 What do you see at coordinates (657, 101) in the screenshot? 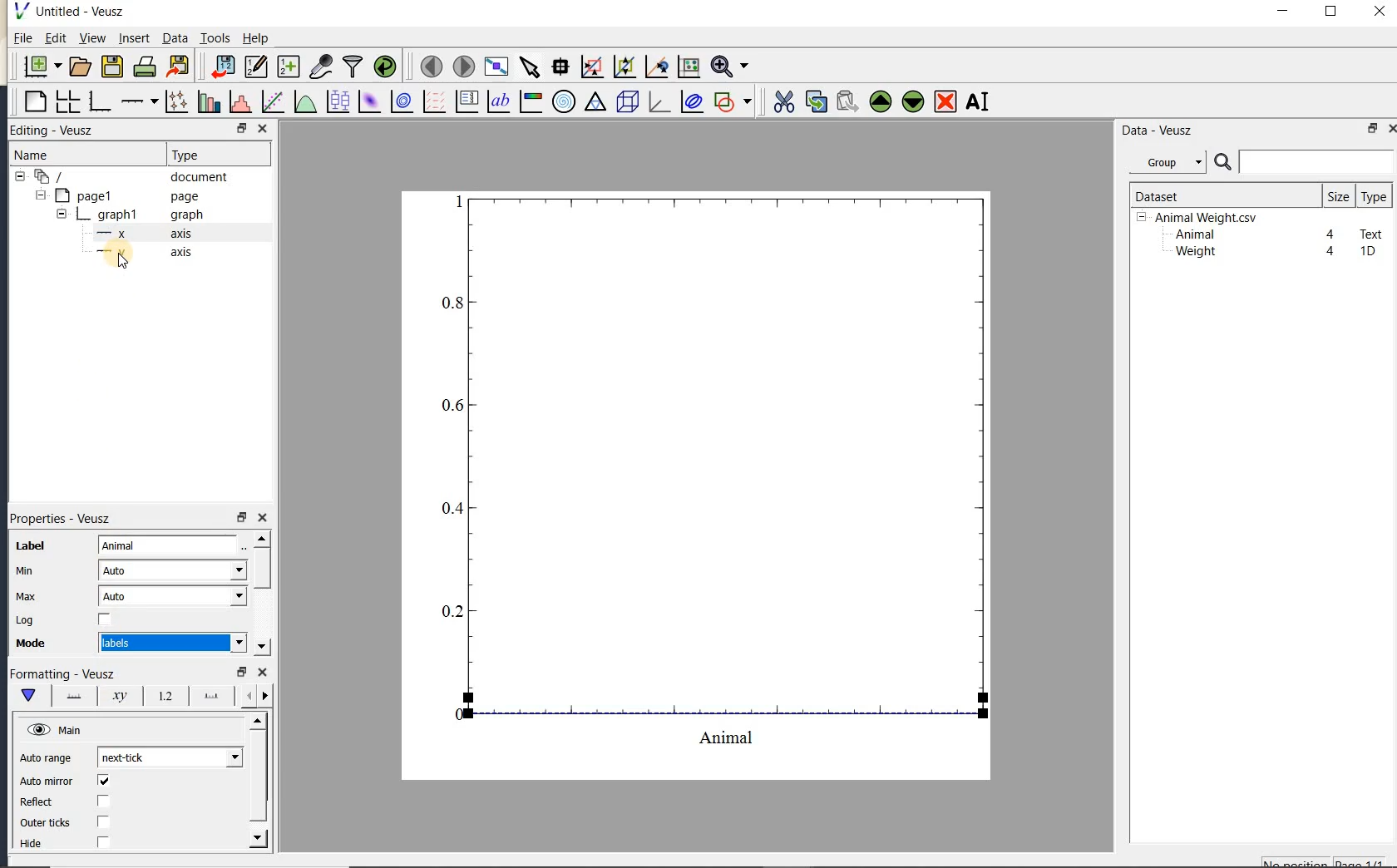
I see `3d graph` at bounding box center [657, 101].